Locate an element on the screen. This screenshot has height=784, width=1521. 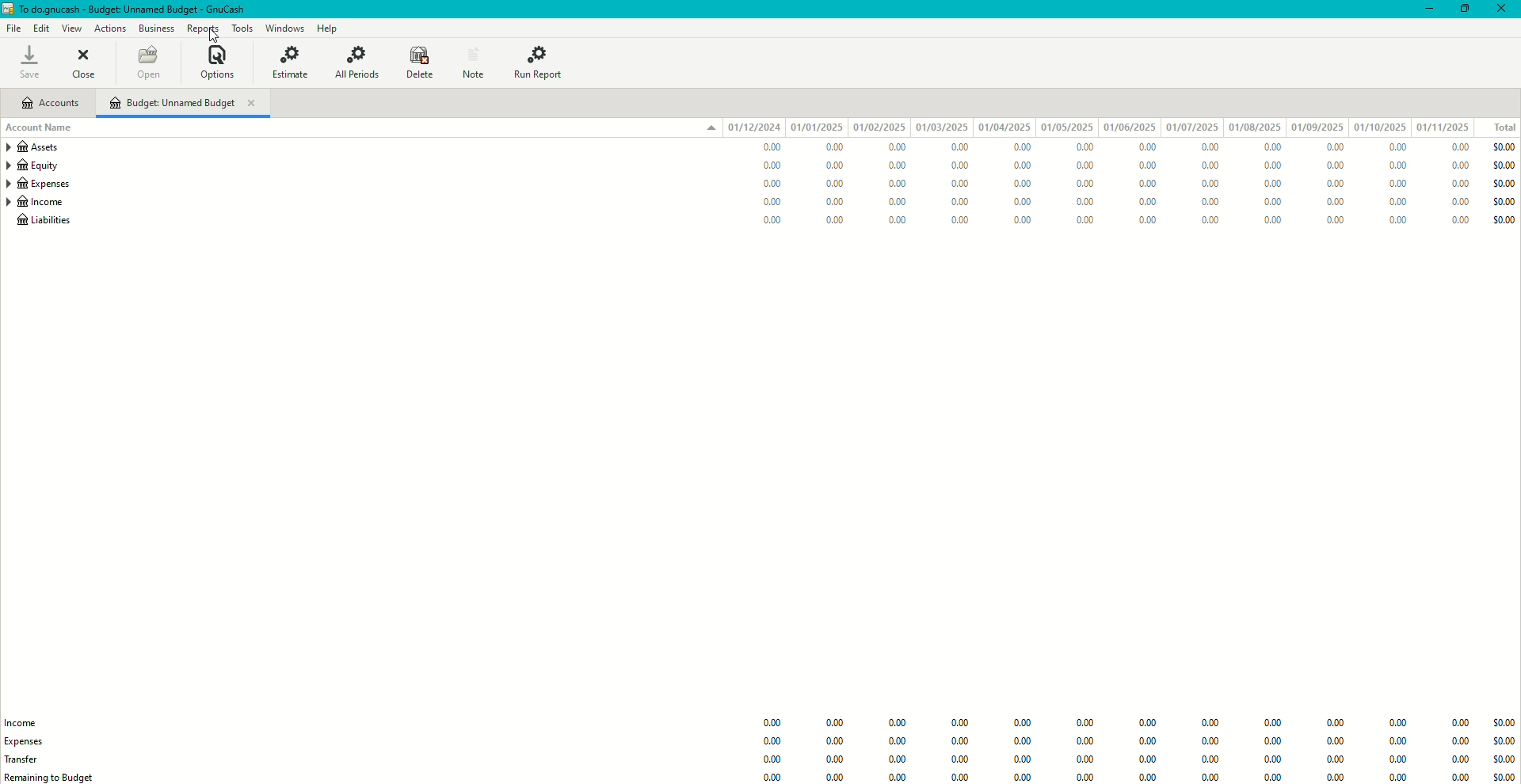
0.00 is located at coordinates (1025, 776).